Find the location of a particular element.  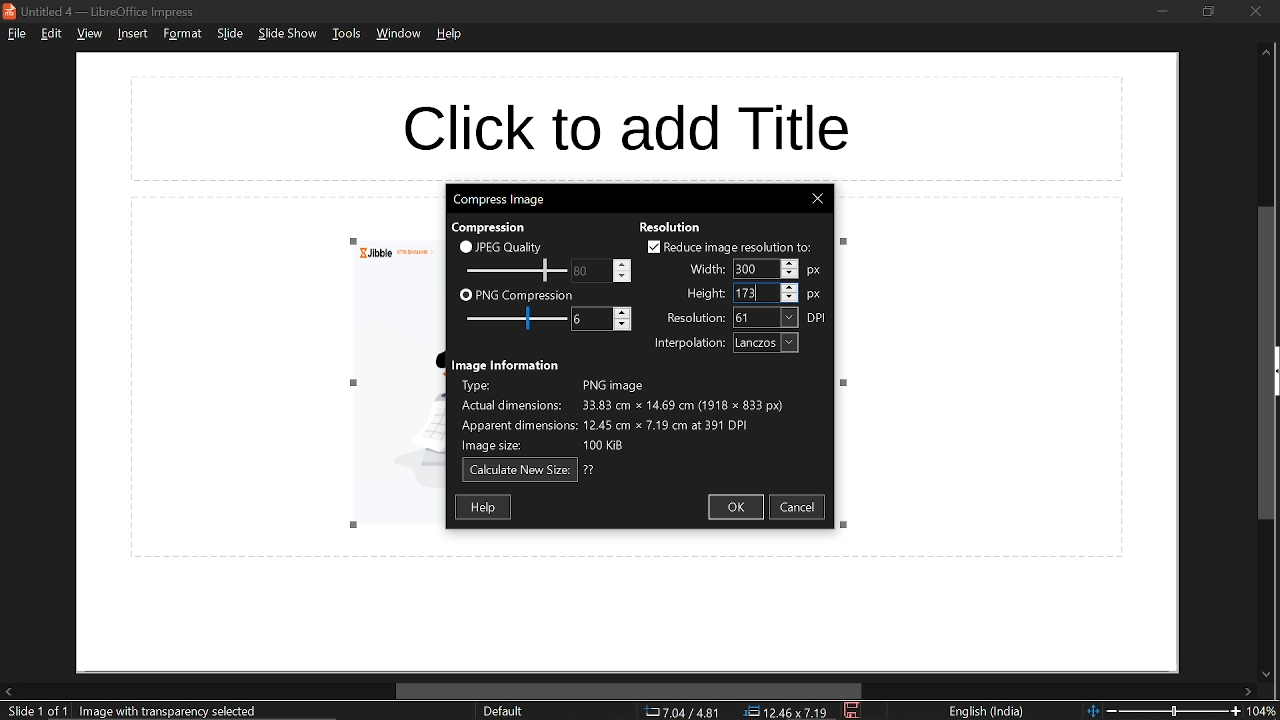

current window is located at coordinates (102, 10).